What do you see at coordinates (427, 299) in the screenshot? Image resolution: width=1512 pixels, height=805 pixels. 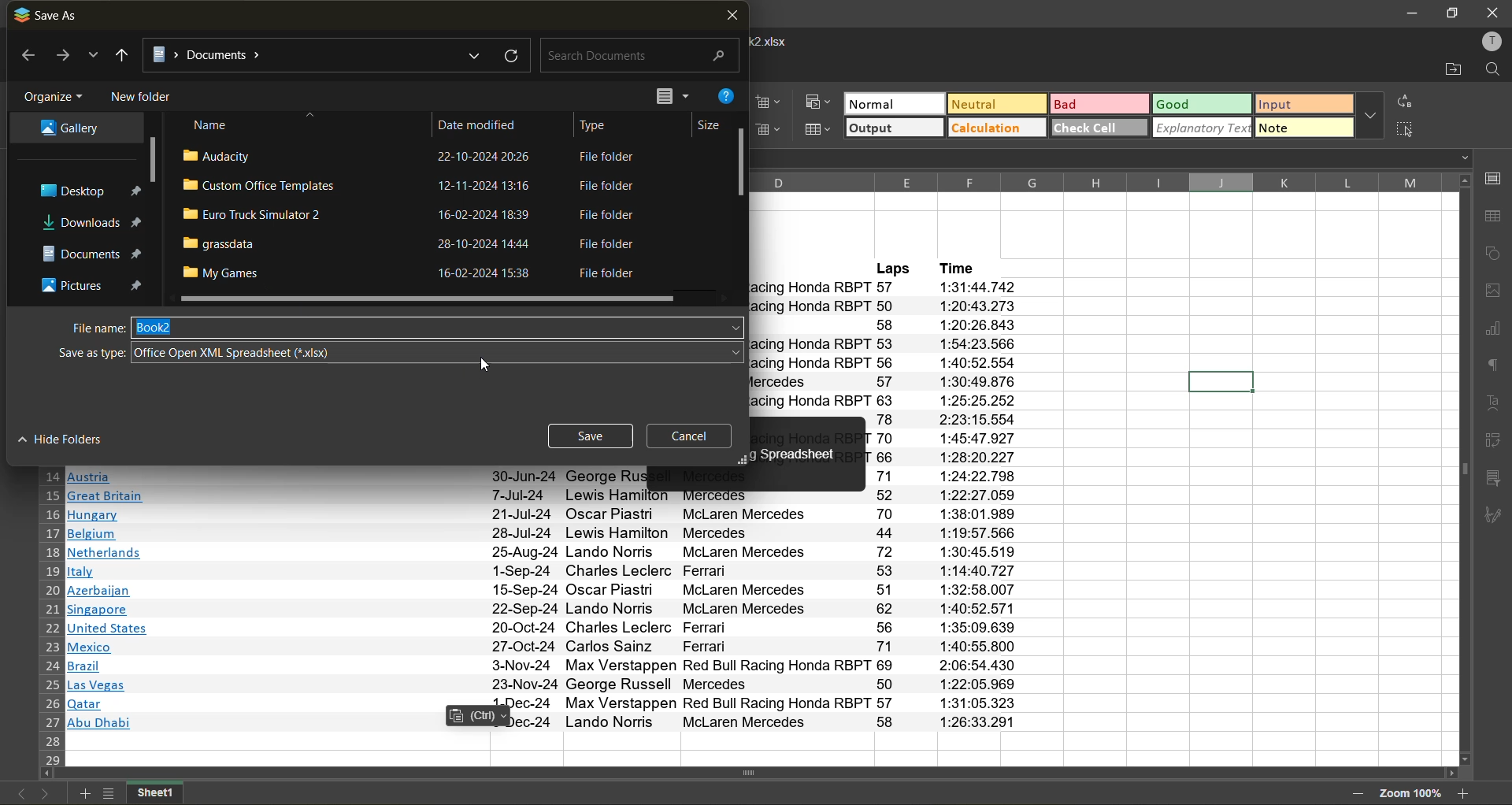 I see `horizontal scroll bar` at bounding box center [427, 299].